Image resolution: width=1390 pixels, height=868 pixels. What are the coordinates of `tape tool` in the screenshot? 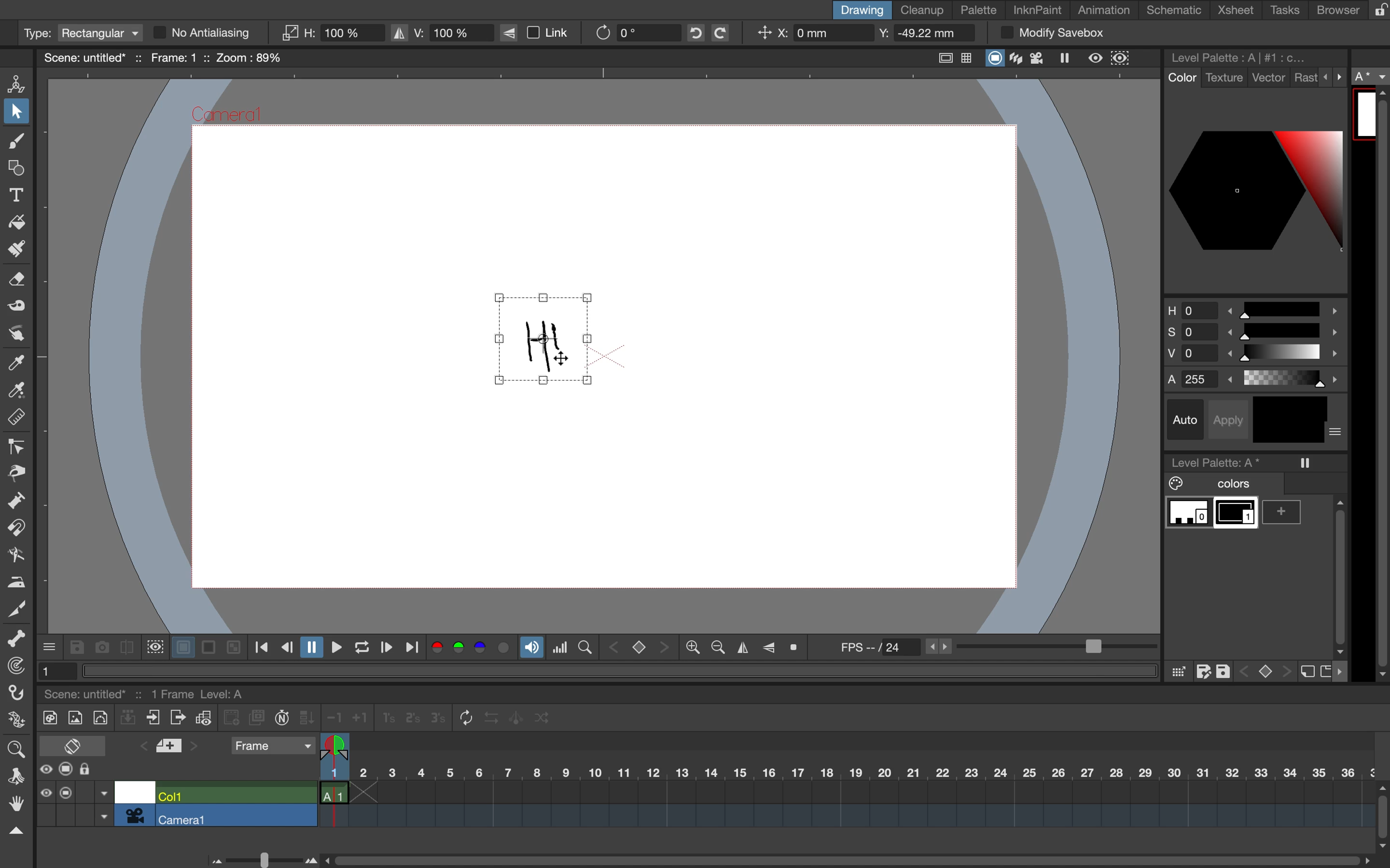 It's located at (14, 308).